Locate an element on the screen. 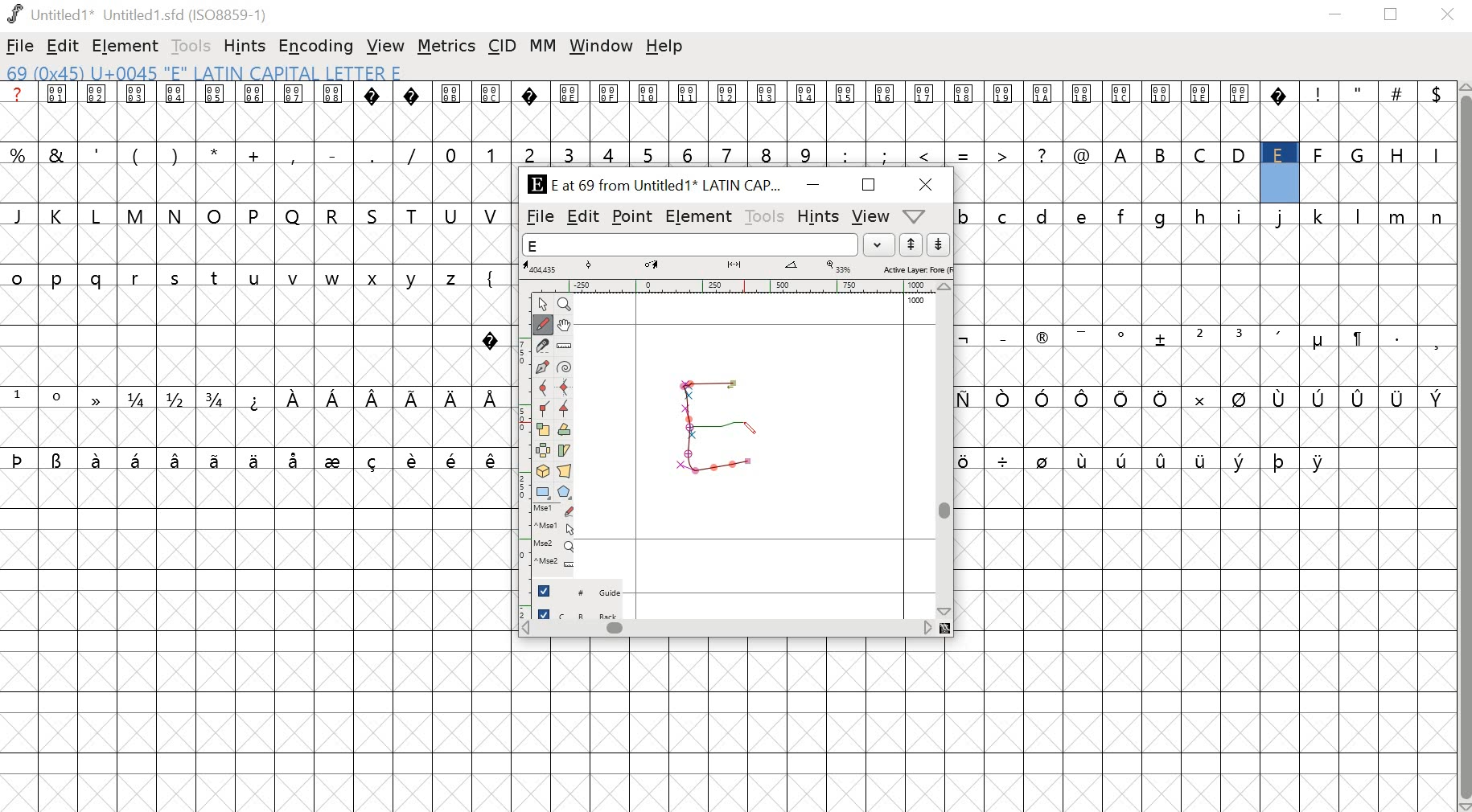 Image resolution: width=1472 pixels, height=812 pixels. Curve is located at coordinates (544, 388).